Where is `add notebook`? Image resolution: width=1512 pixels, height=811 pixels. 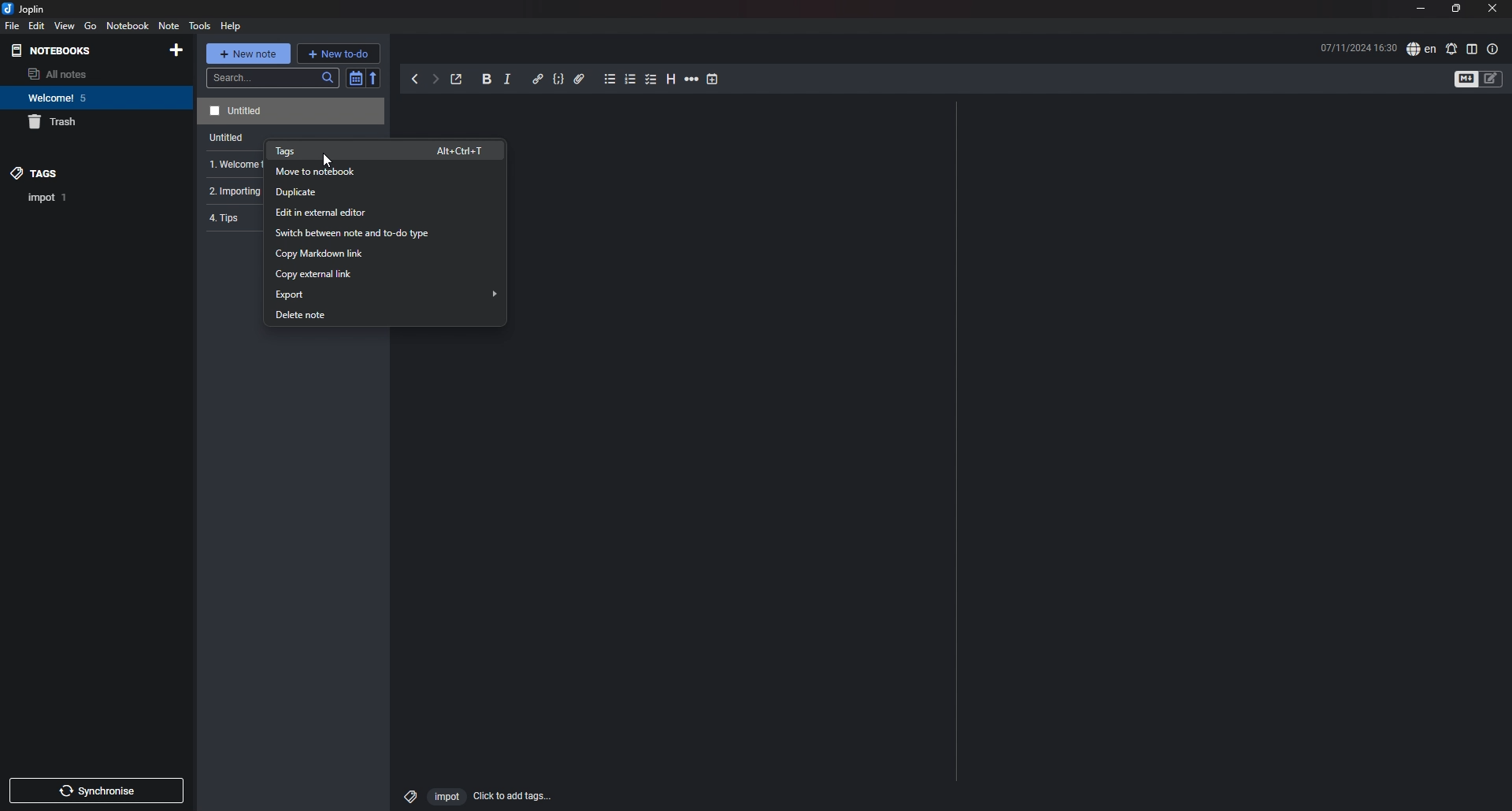 add notebook is located at coordinates (176, 50).